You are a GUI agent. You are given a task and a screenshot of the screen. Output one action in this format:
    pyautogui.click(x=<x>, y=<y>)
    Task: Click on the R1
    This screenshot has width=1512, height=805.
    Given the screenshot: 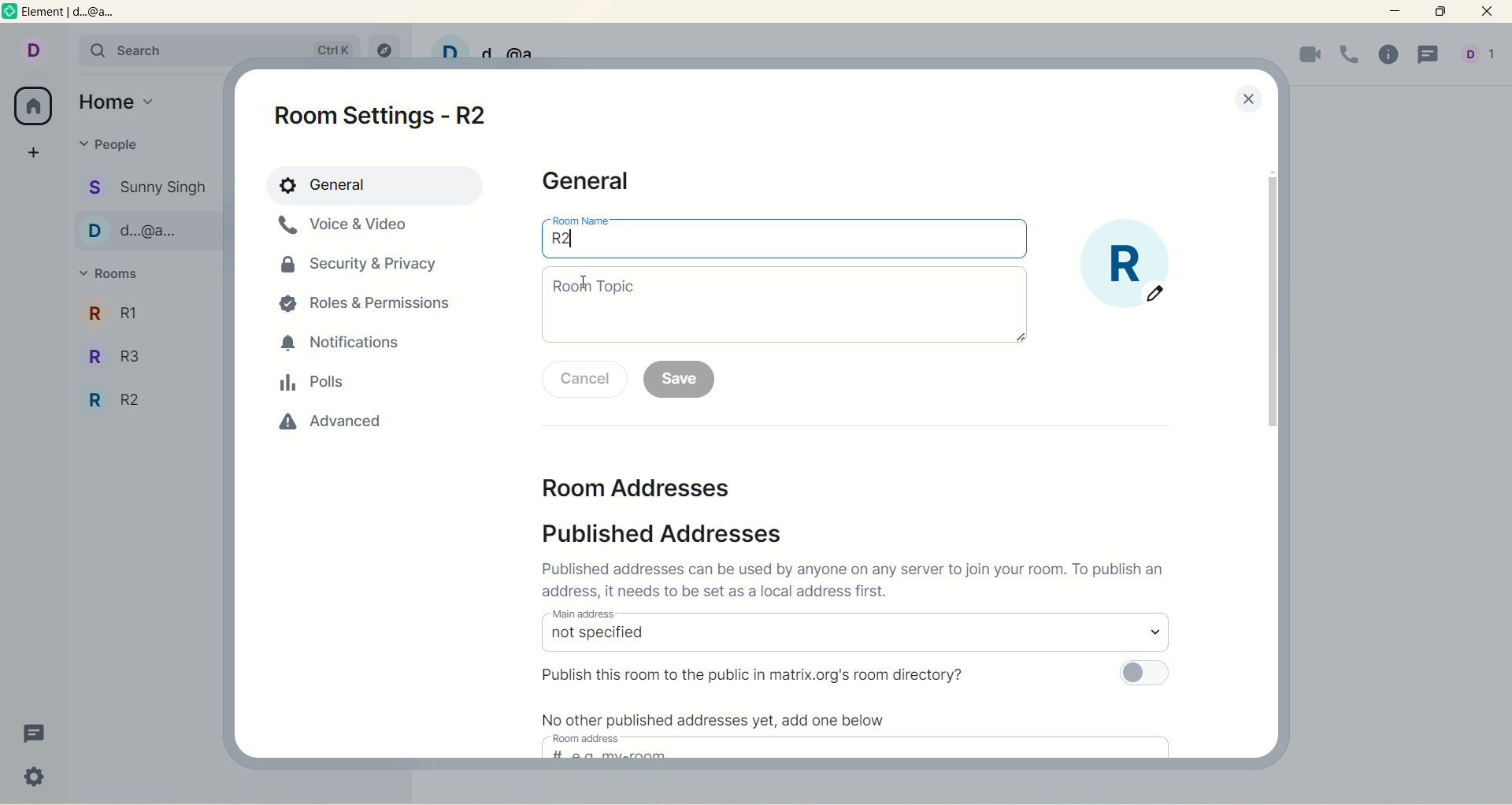 What is the action you would take?
    pyautogui.click(x=145, y=311)
    